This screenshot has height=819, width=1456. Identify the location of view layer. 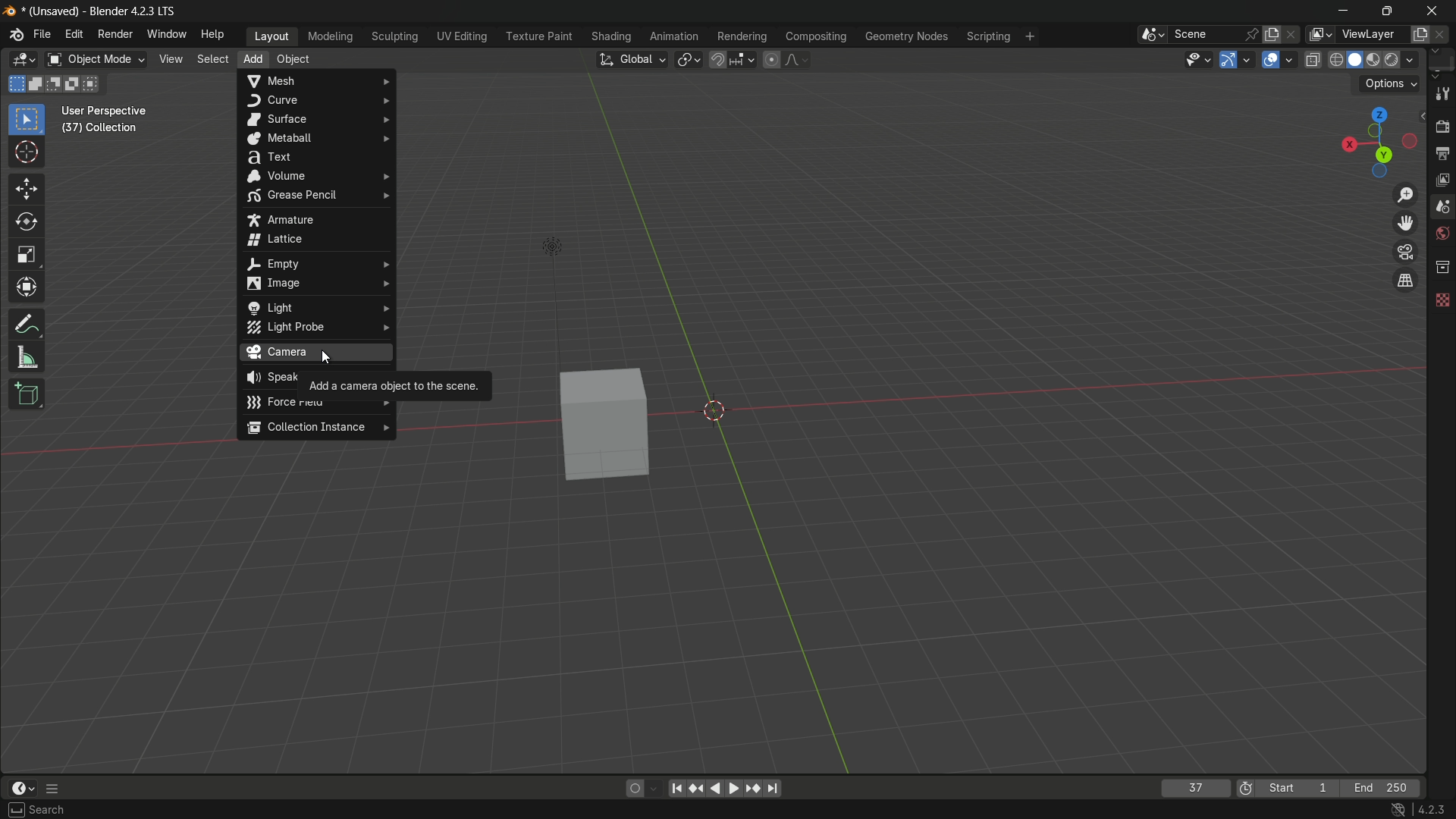
(1321, 35).